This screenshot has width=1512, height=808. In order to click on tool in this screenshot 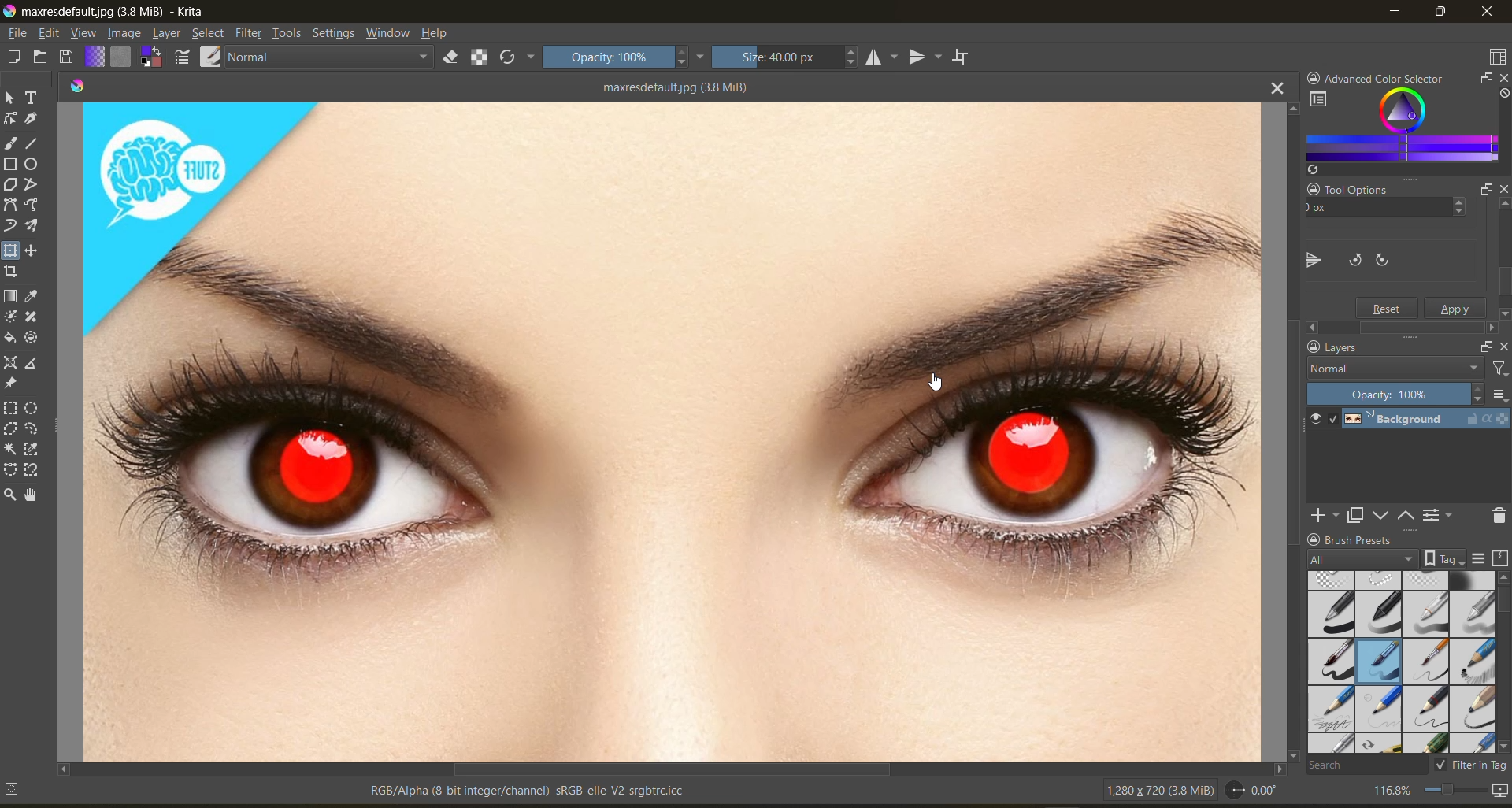, I will do `click(33, 470)`.